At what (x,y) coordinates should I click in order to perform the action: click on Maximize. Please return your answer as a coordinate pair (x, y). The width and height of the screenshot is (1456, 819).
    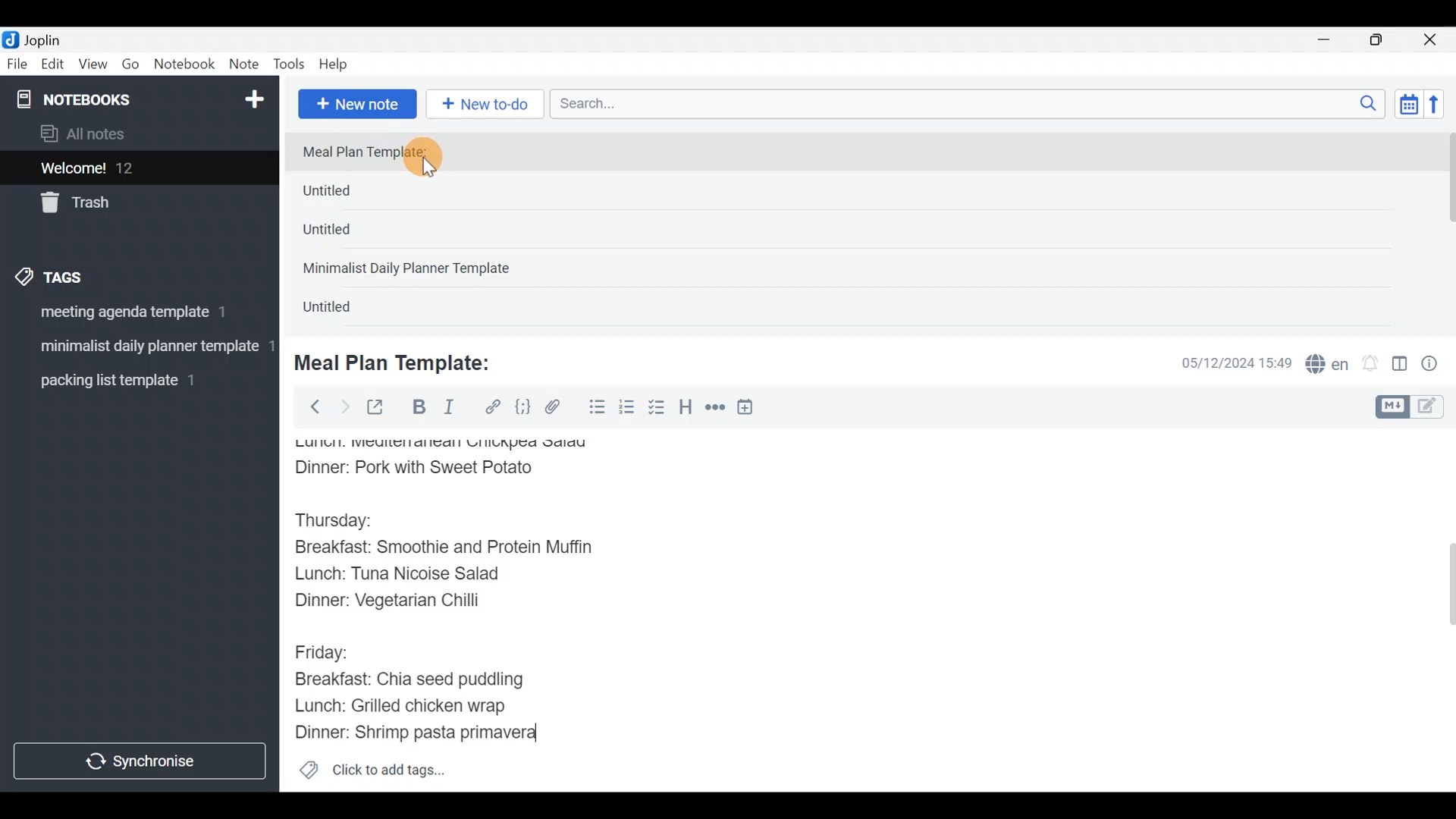
    Looking at the image, I should click on (1385, 40).